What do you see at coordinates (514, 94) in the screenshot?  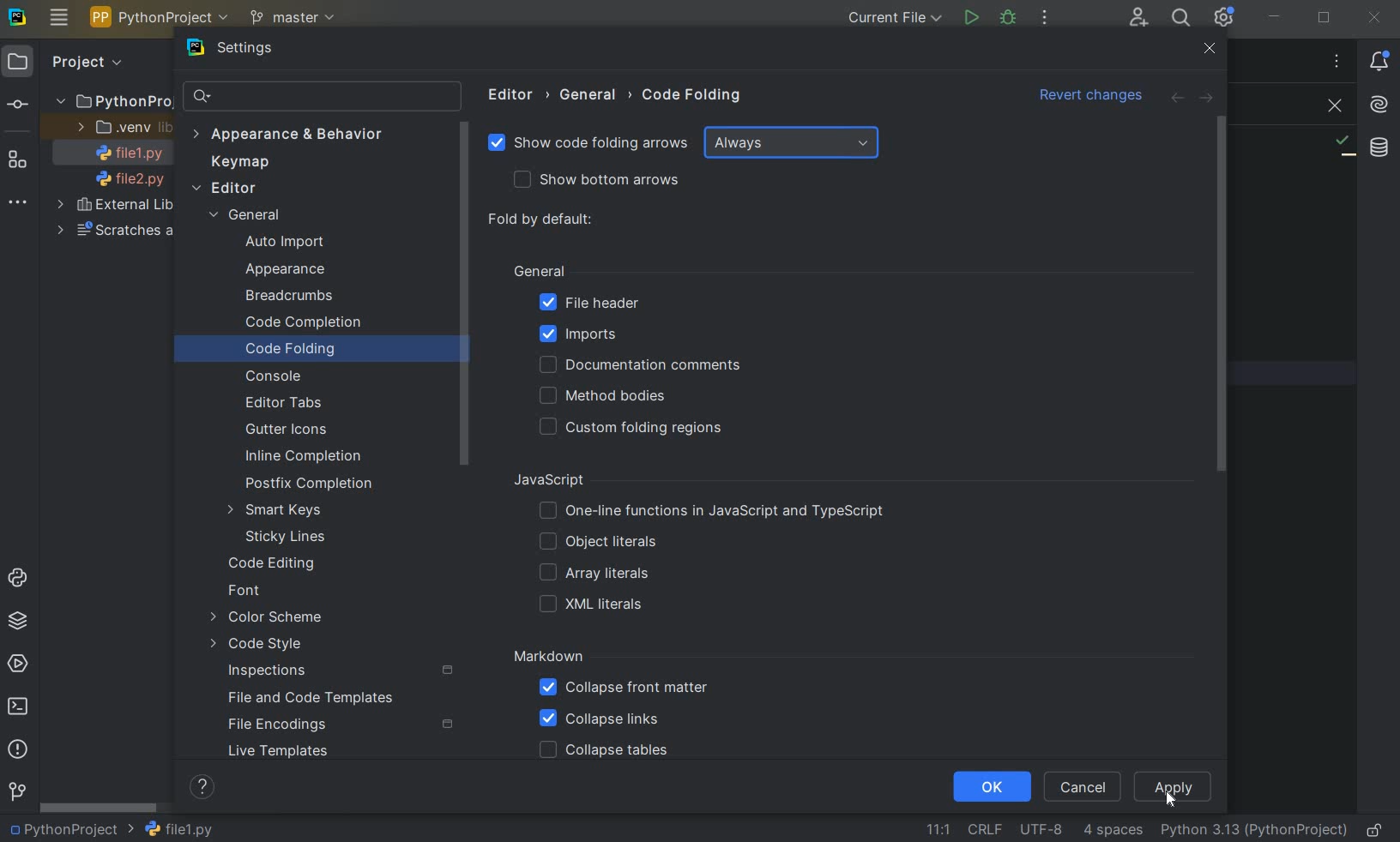 I see `EDITOR` at bounding box center [514, 94].